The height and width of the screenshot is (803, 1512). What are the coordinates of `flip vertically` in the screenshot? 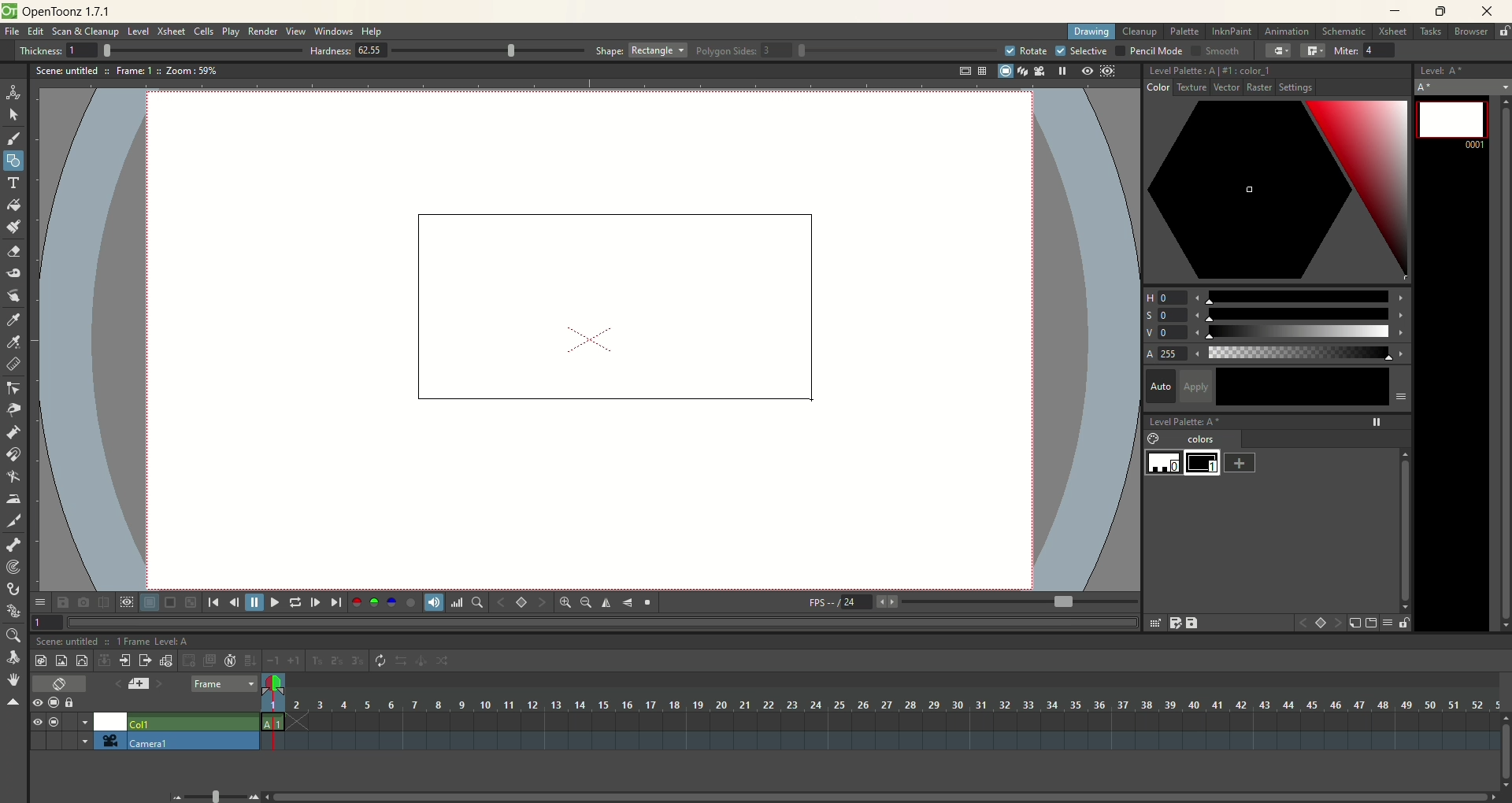 It's located at (628, 603).